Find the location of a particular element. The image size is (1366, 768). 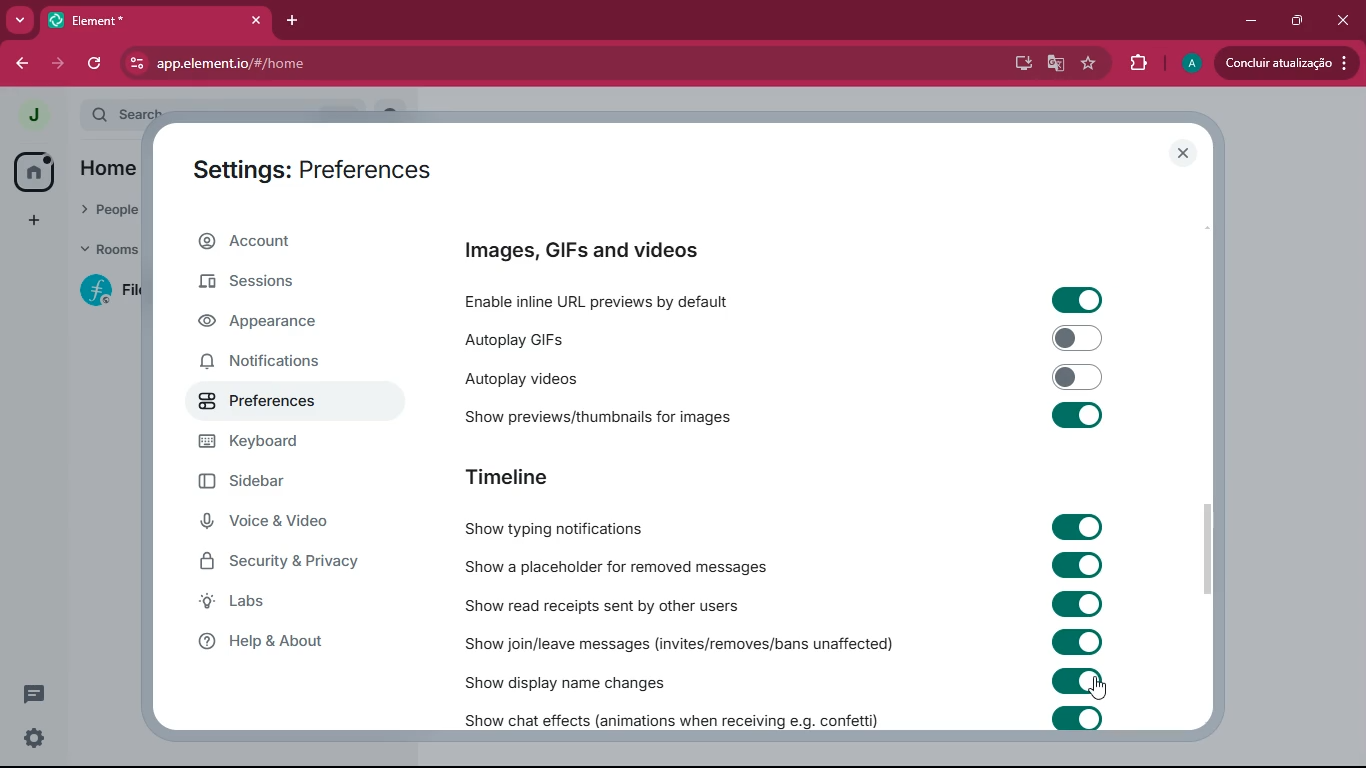

keyboard is located at coordinates (262, 443).